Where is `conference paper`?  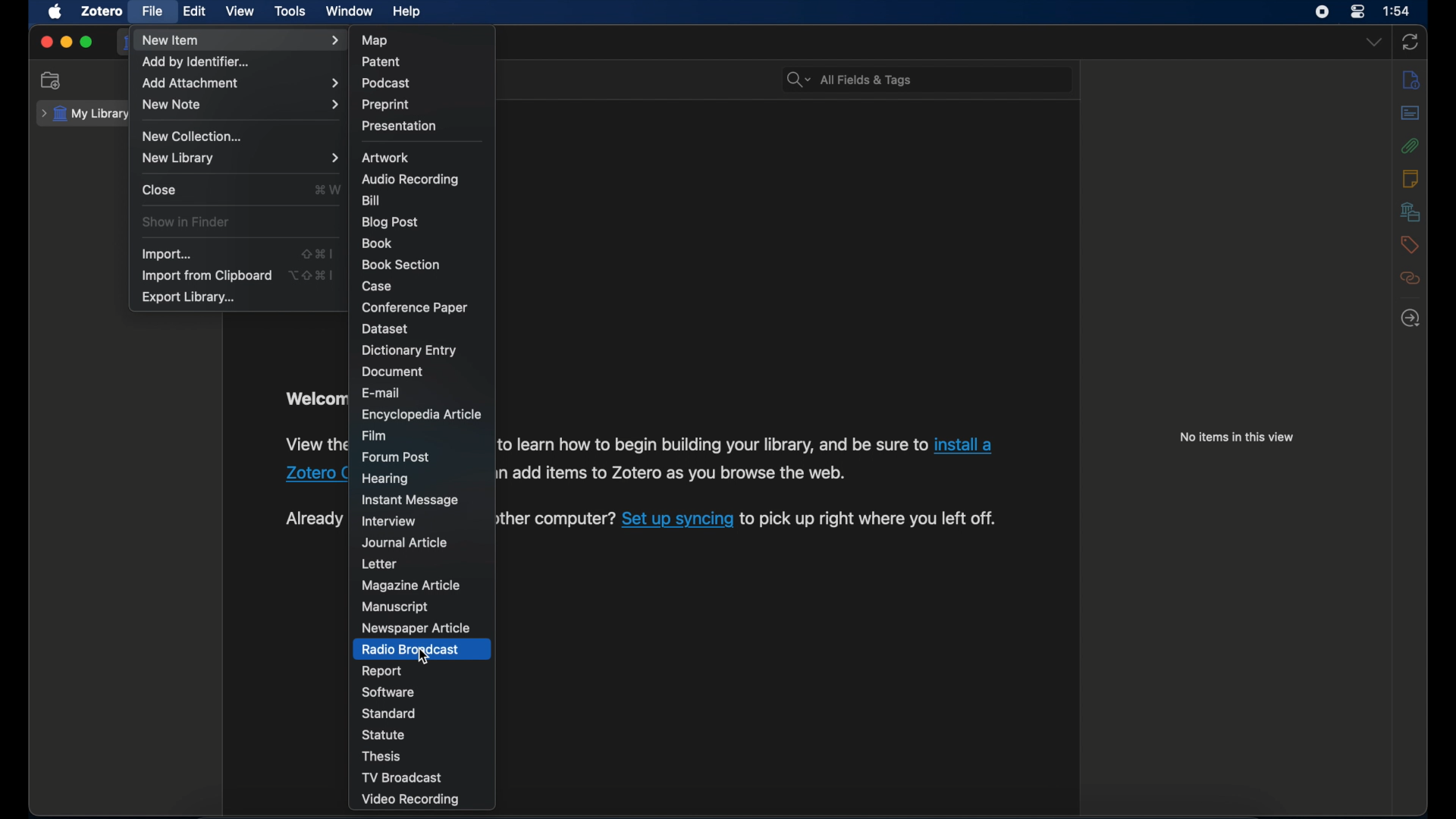 conference paper is located at coordinates (414, 307).